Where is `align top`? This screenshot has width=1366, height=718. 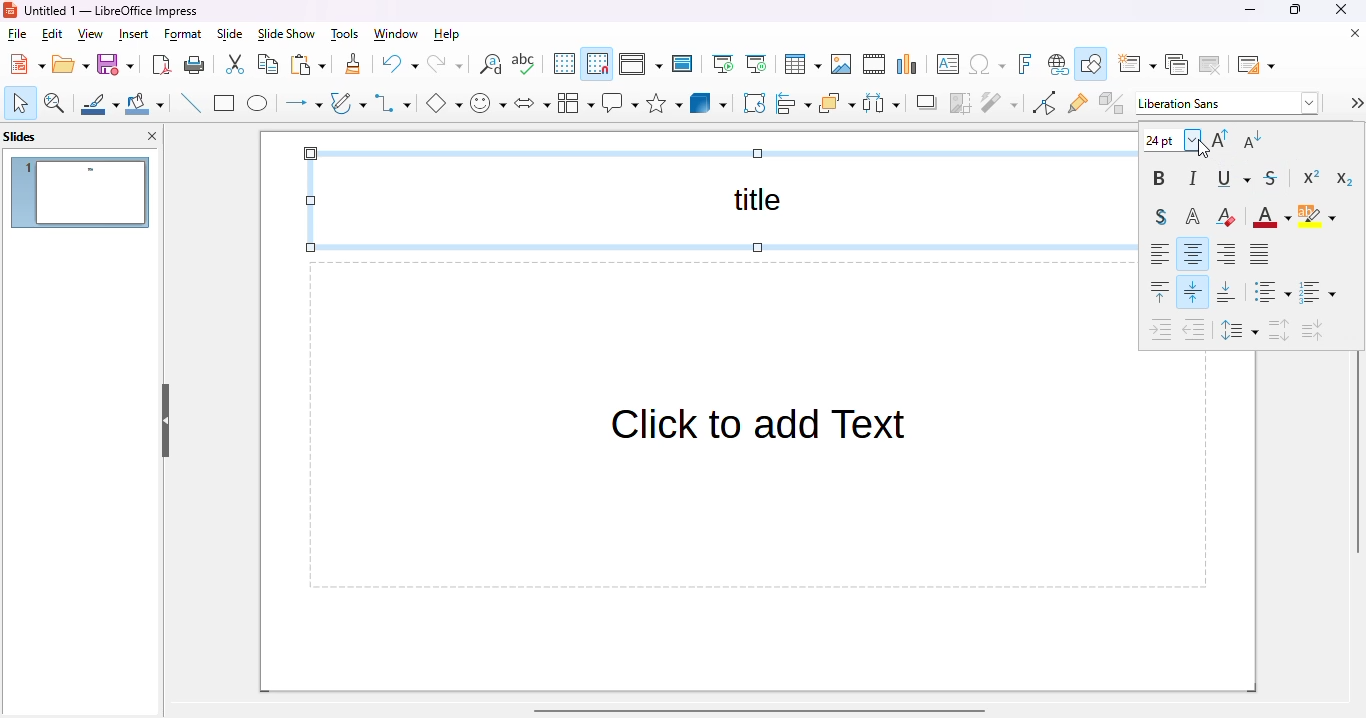 align top is located at coordinates (1159, 292).